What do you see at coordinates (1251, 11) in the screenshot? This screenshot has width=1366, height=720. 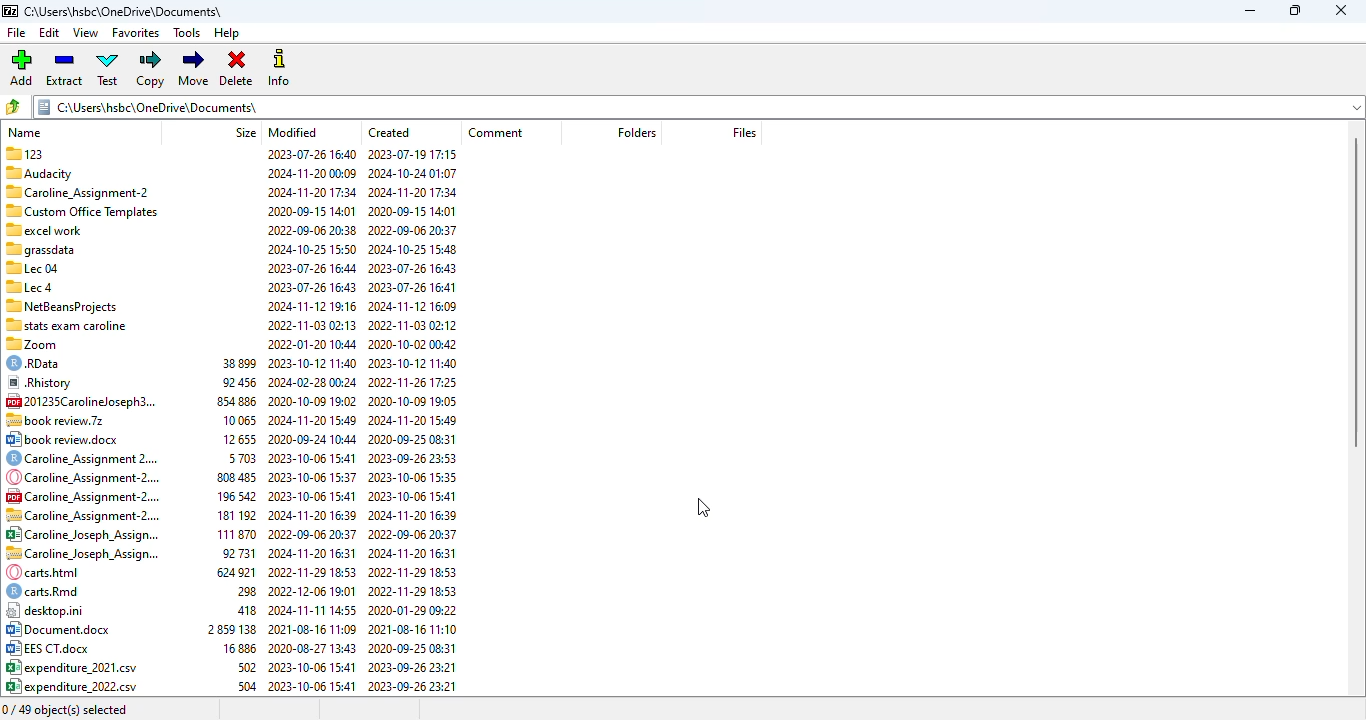 I see `minimize` at bounding box center [1251, 11].